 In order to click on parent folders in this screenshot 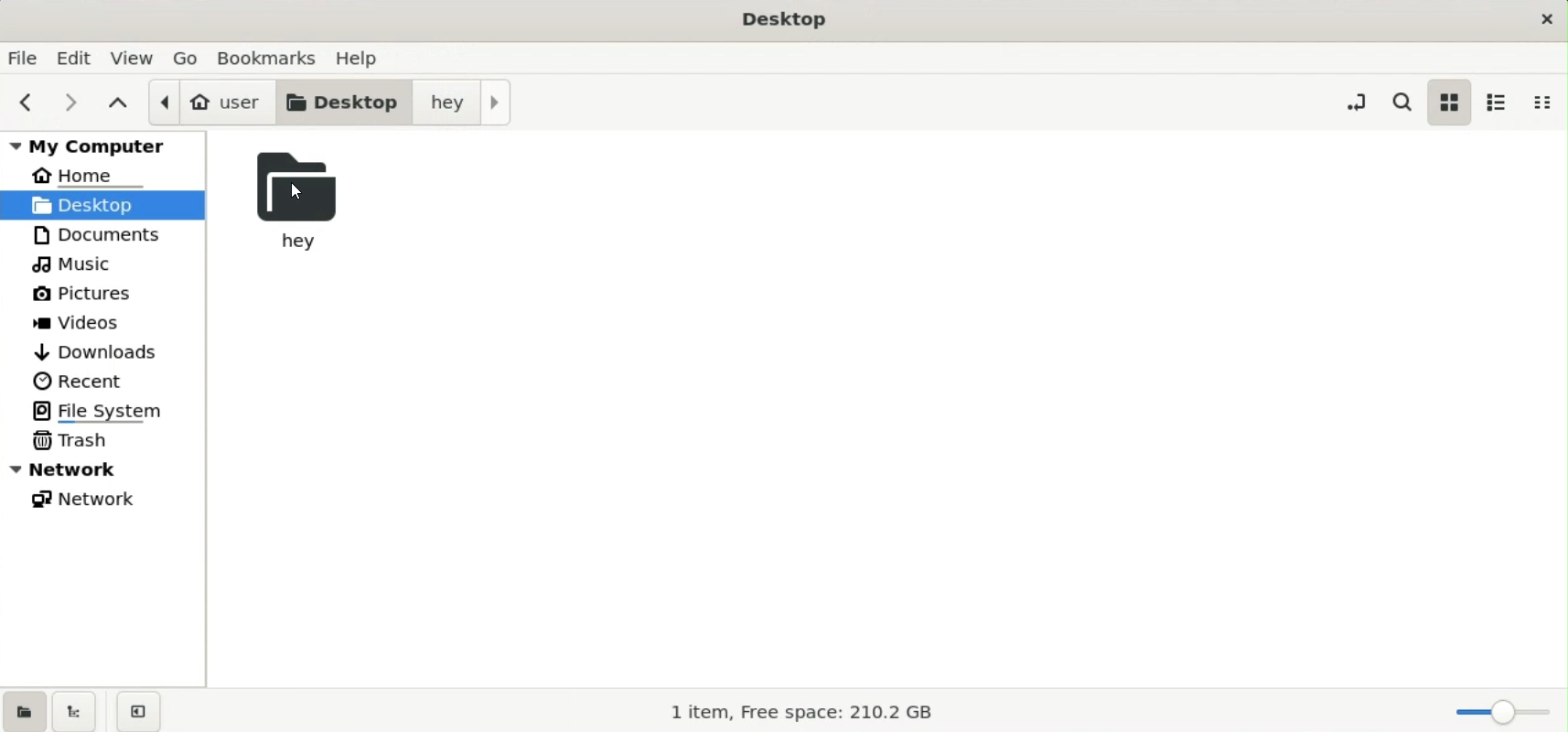, I will do `click(117, 102)`.